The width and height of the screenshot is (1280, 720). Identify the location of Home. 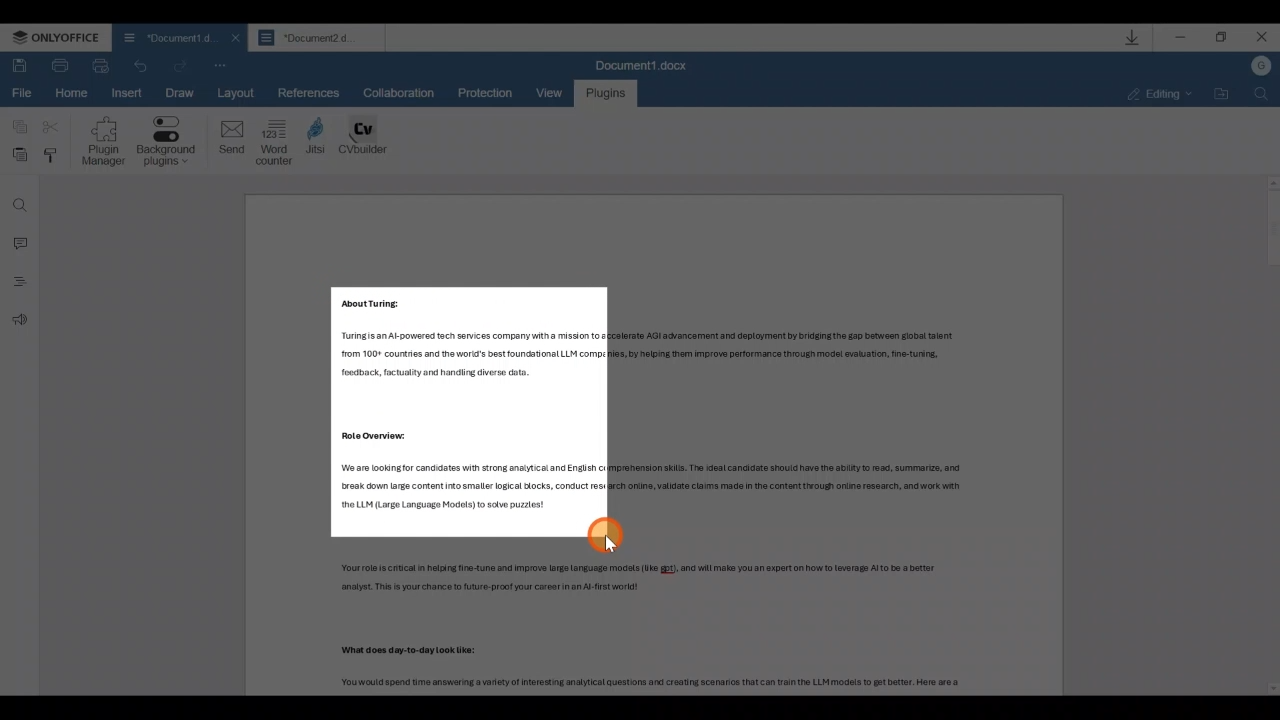
(74, 94).